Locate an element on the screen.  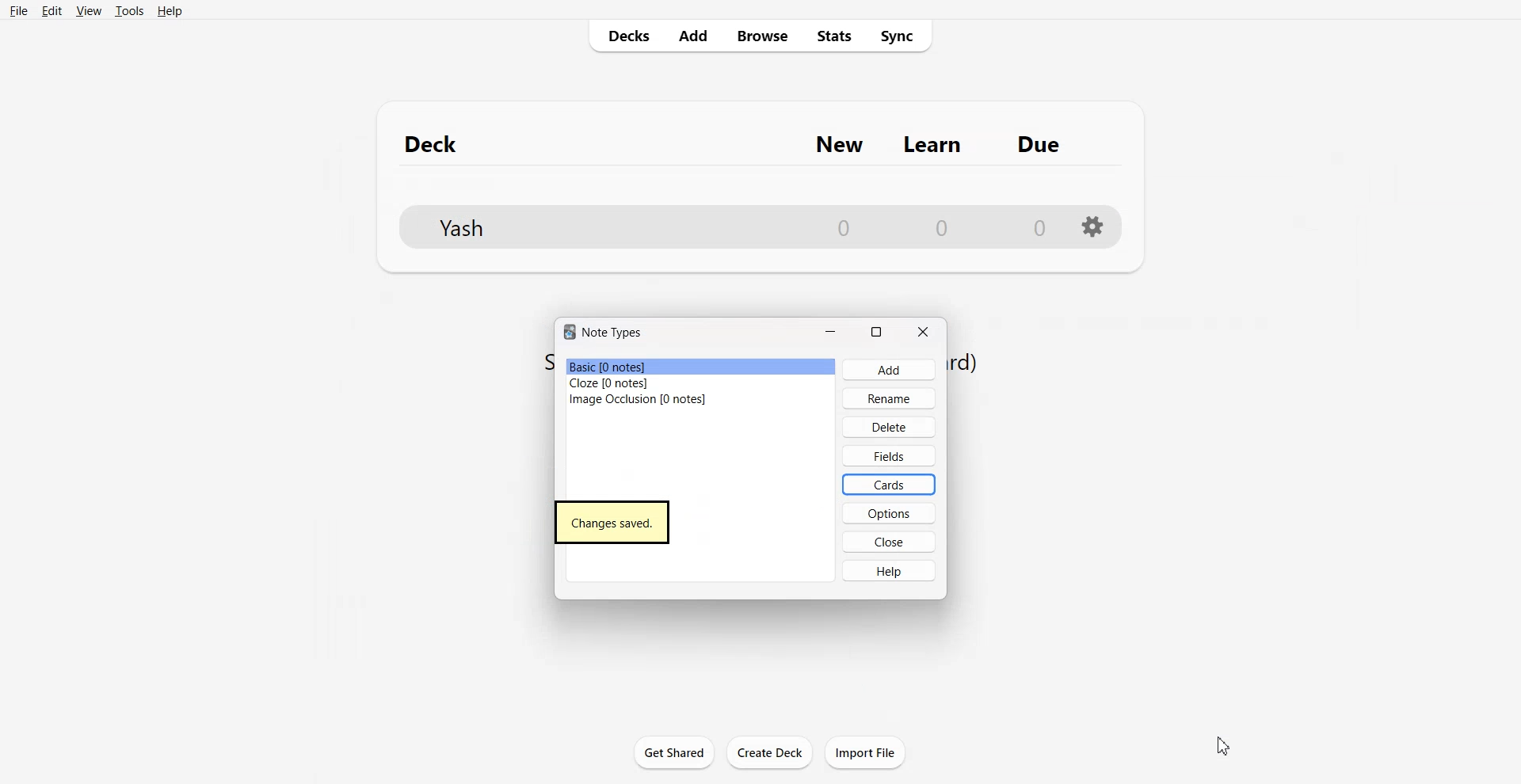
Minimize is located at coordinates (830, 330).